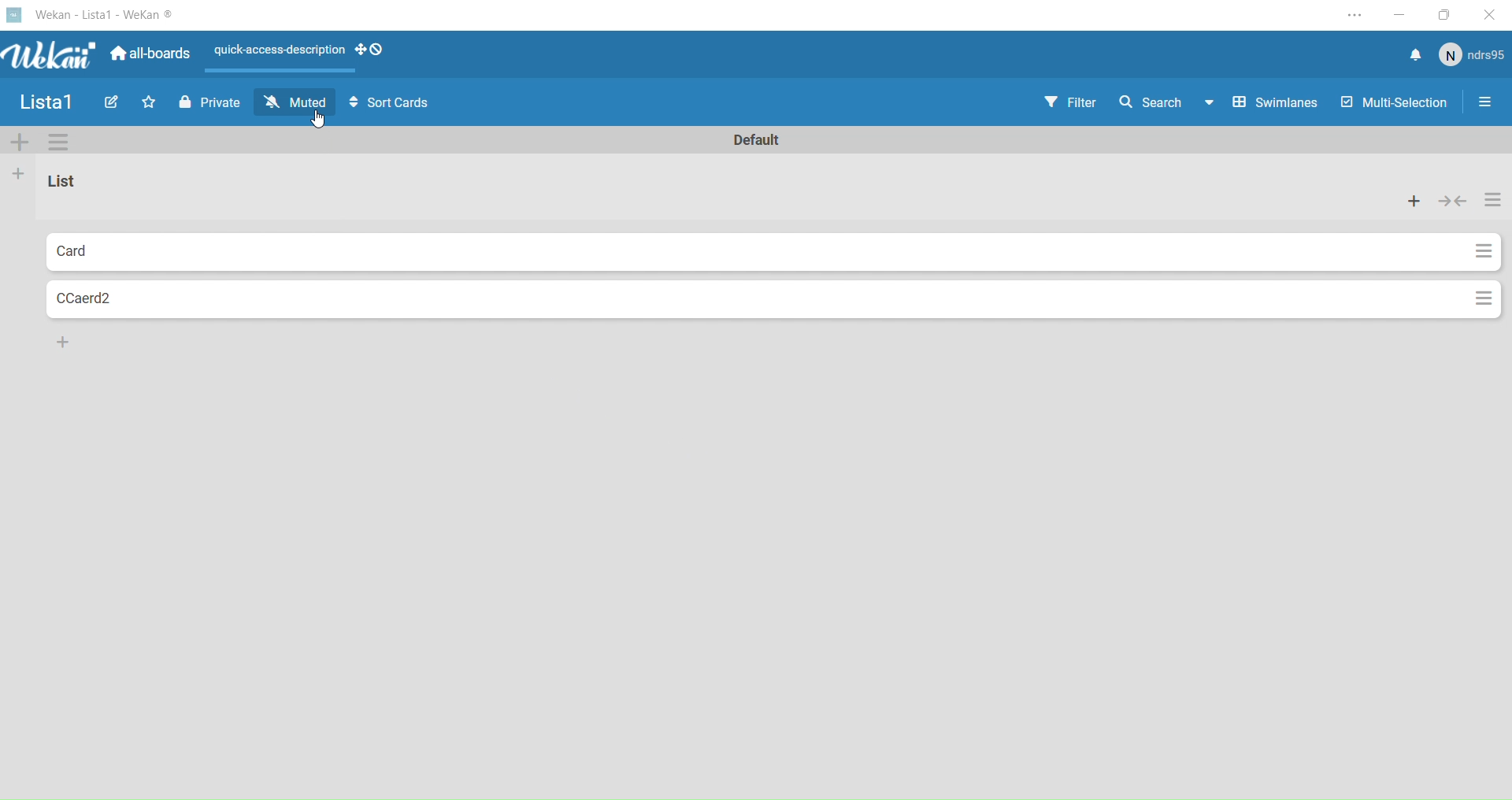 The image size is (1512, 800). What do you see at coordinates (298, 101) in the screenshot?
I see `Muted` at bounding box center [298, 101].